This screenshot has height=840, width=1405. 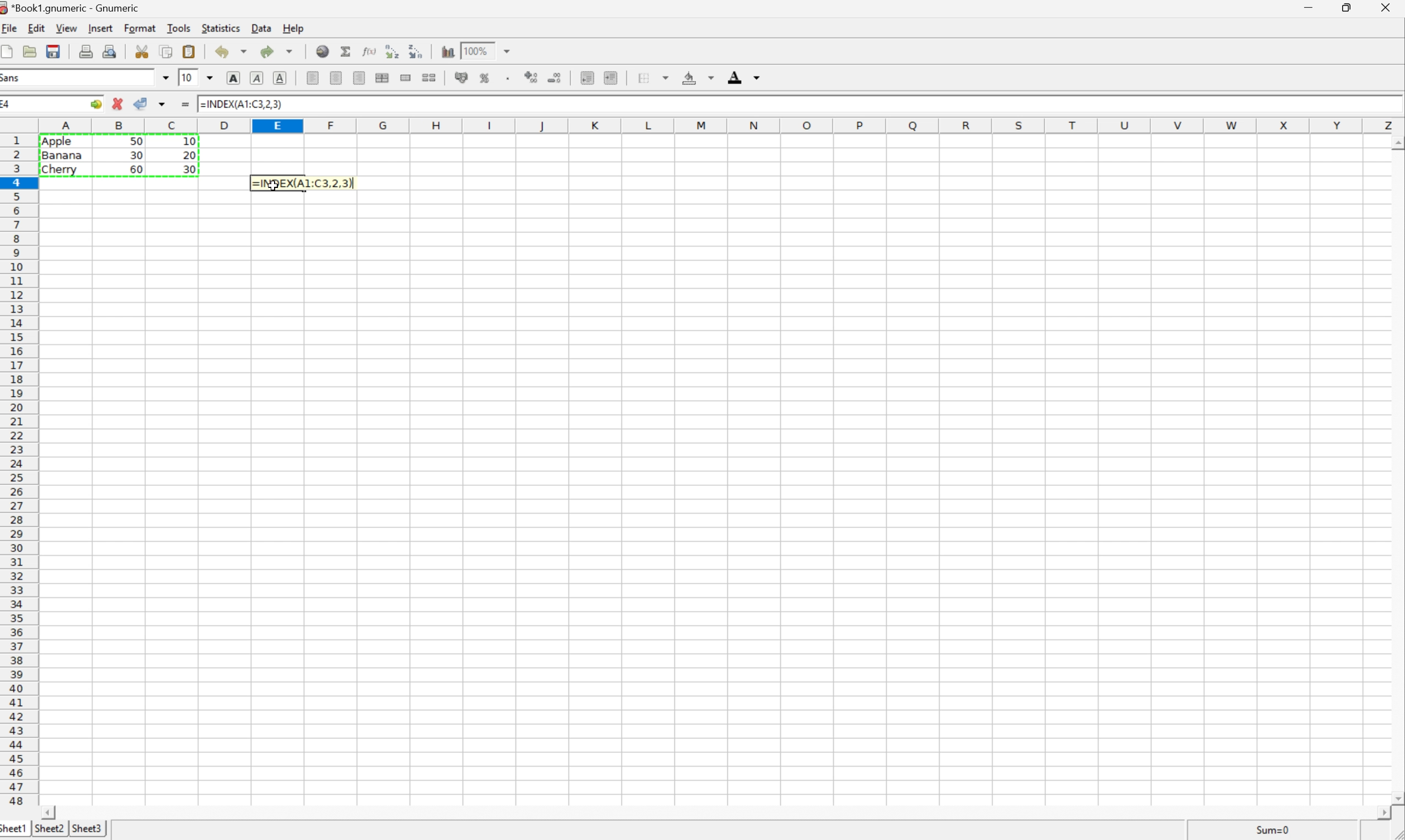 I want to click on cut, so click(x=142, y=50).